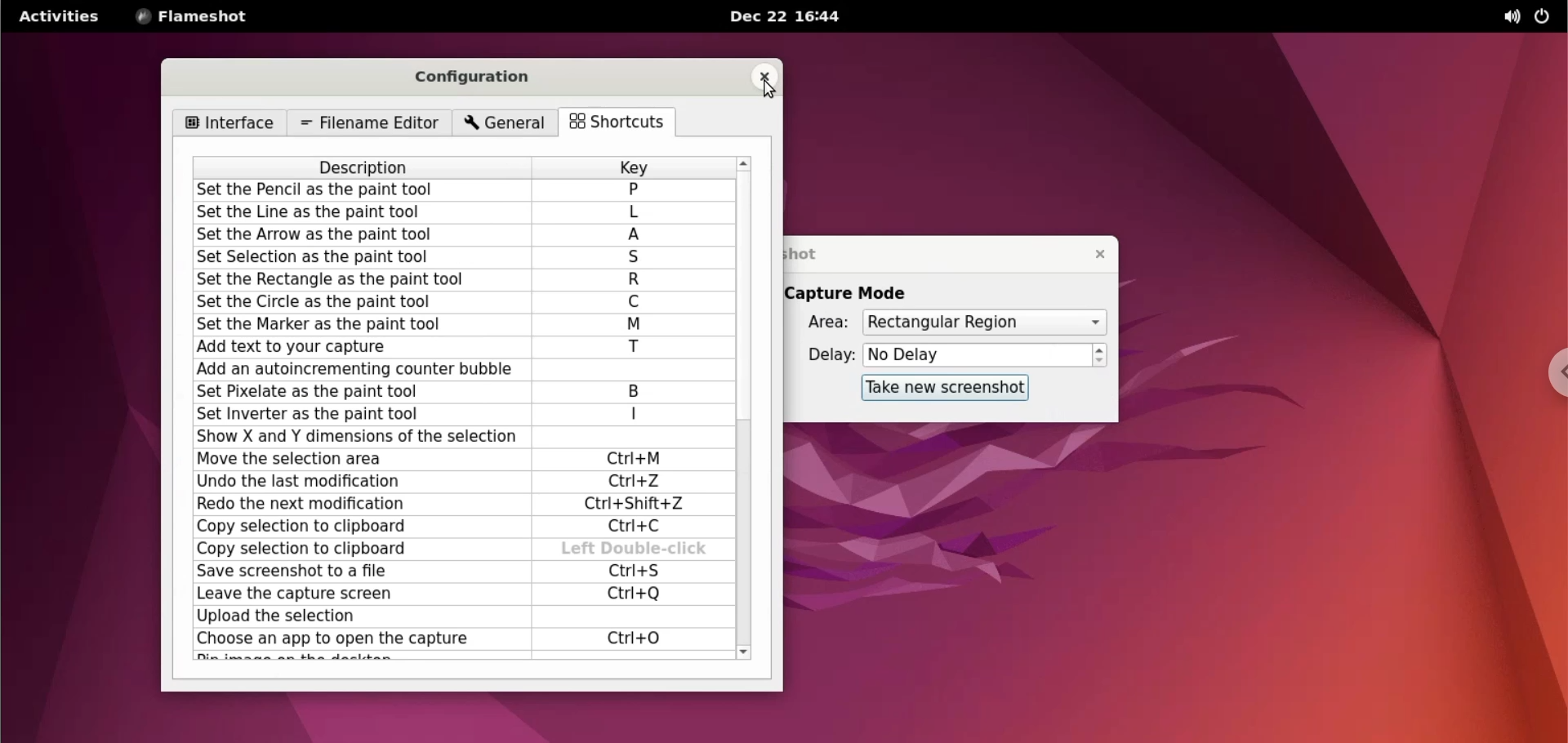  Describe the element at coordinates (635, 325) in the screenshot. I see `M ` at that location.